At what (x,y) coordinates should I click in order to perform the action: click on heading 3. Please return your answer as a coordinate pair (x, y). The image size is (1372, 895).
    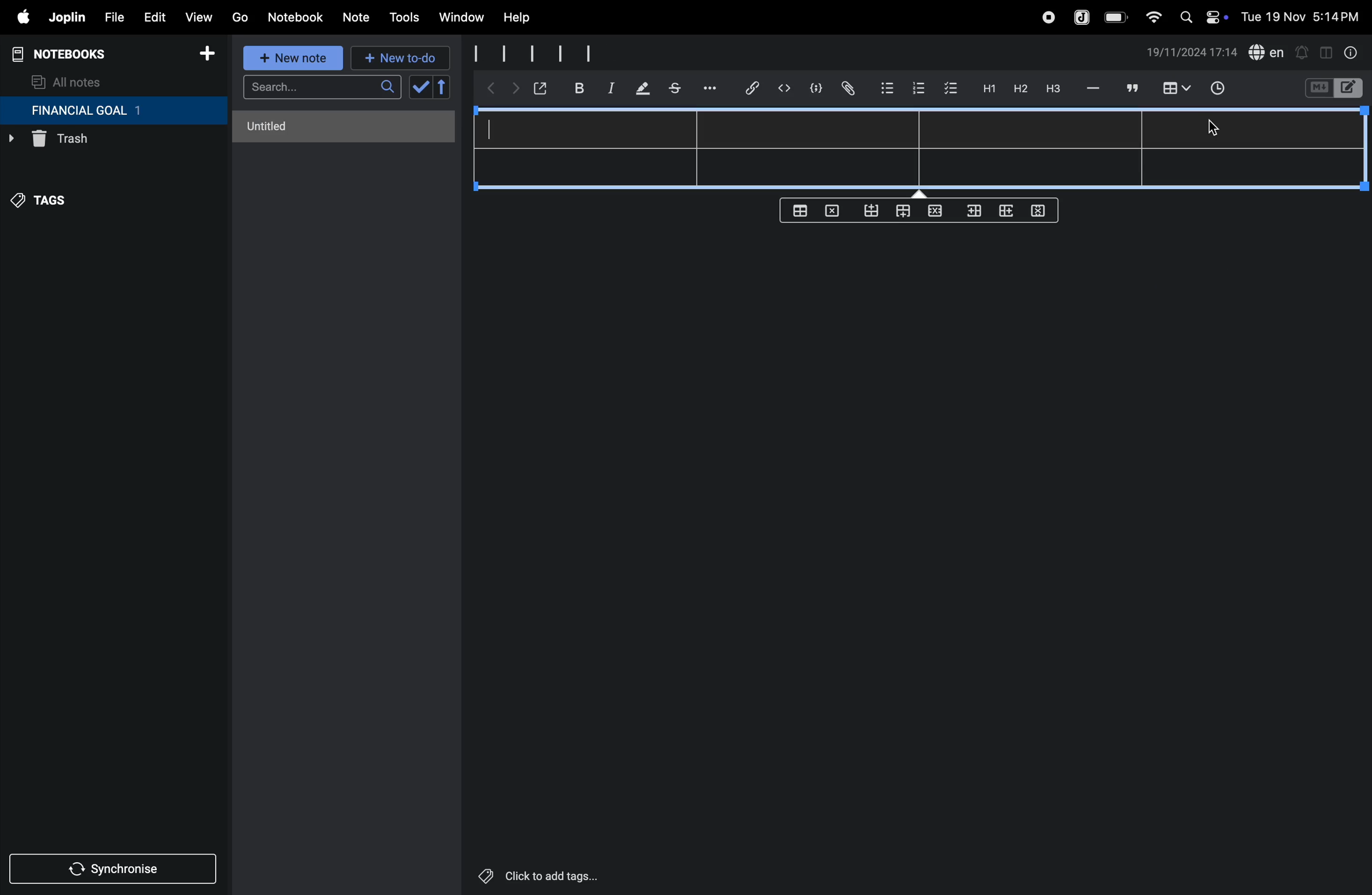
    Looking at the image, I should click on (1053, 89).